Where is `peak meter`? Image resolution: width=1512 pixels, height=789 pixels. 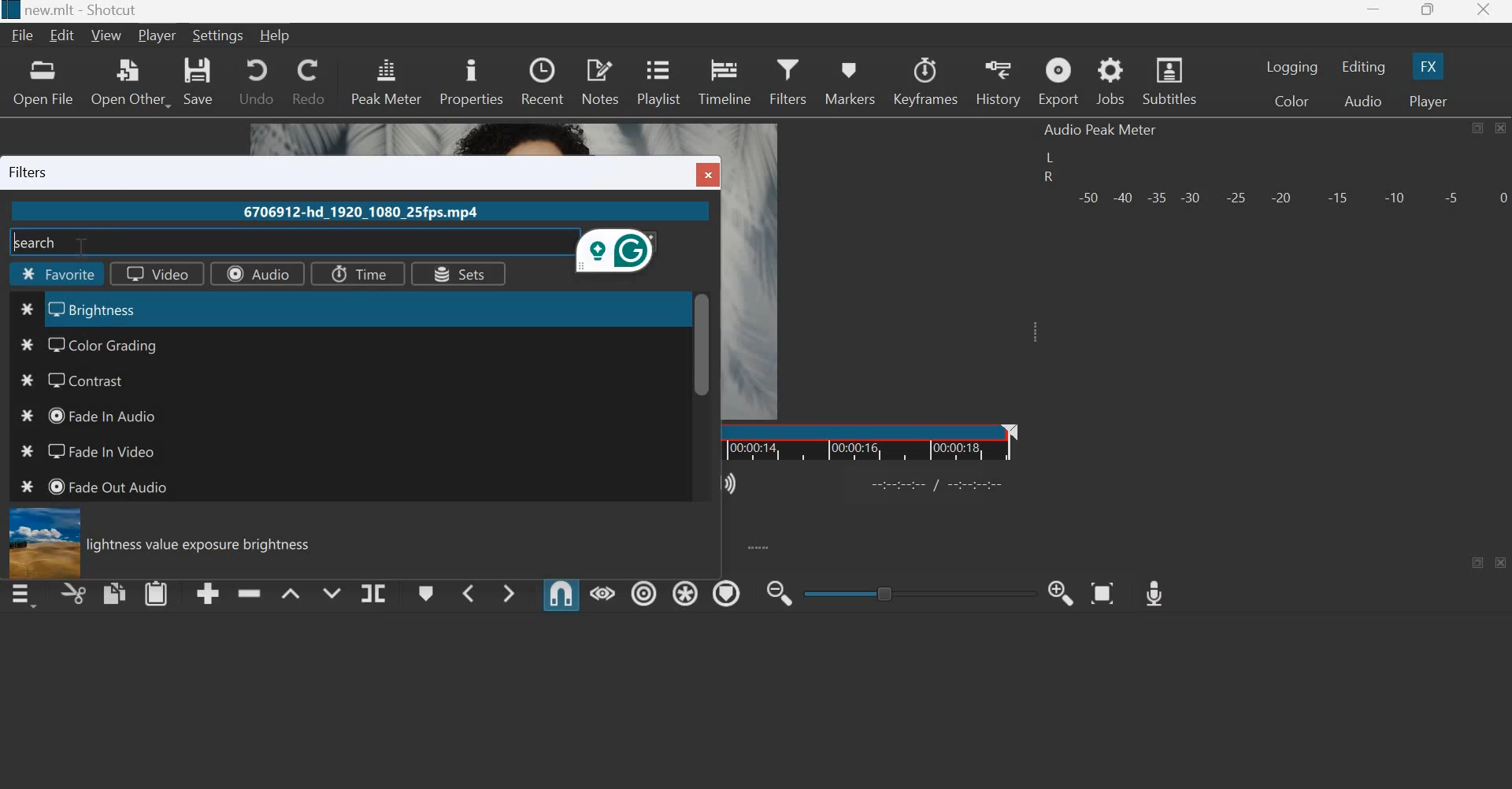
peak meter is located at coordinates (387, 80).